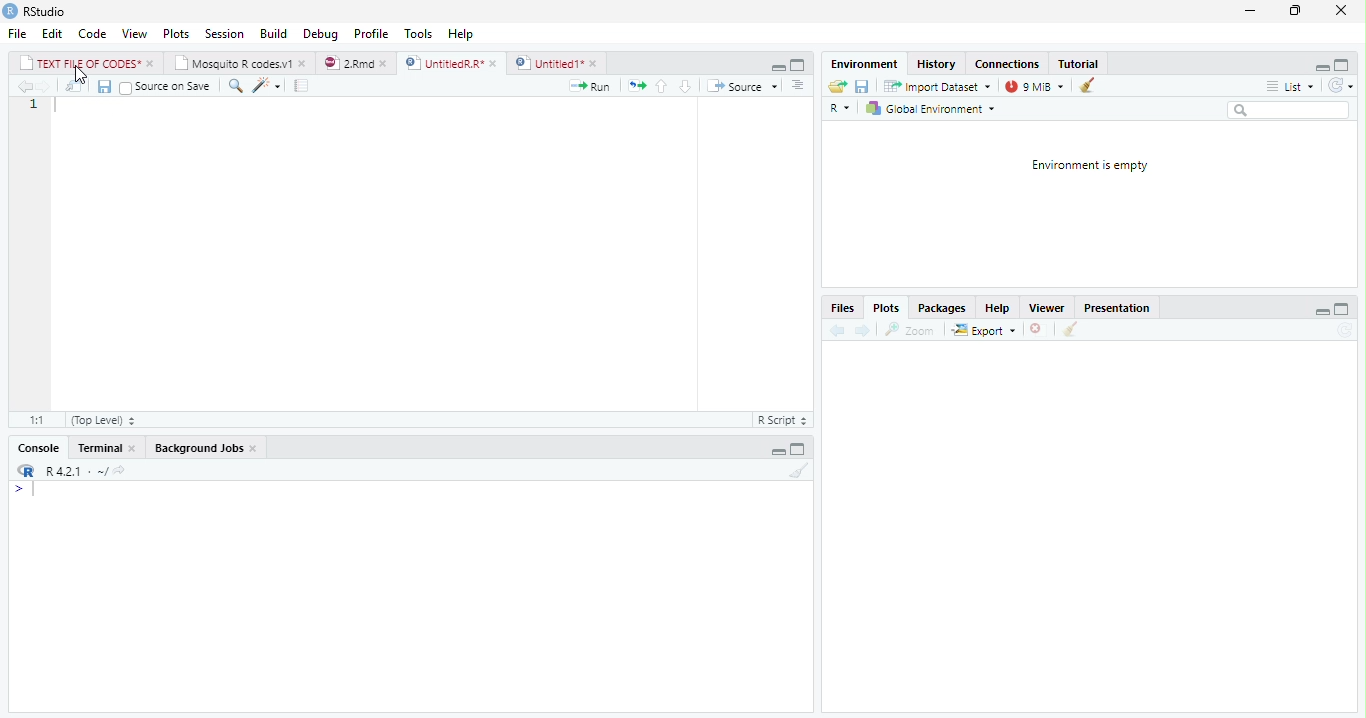 The width and height of the screenshot is (1366, 718). What do you see at coordinates (1295, 13) in the screenshot?
I see `maximize` at bounding box center [1295, 13].